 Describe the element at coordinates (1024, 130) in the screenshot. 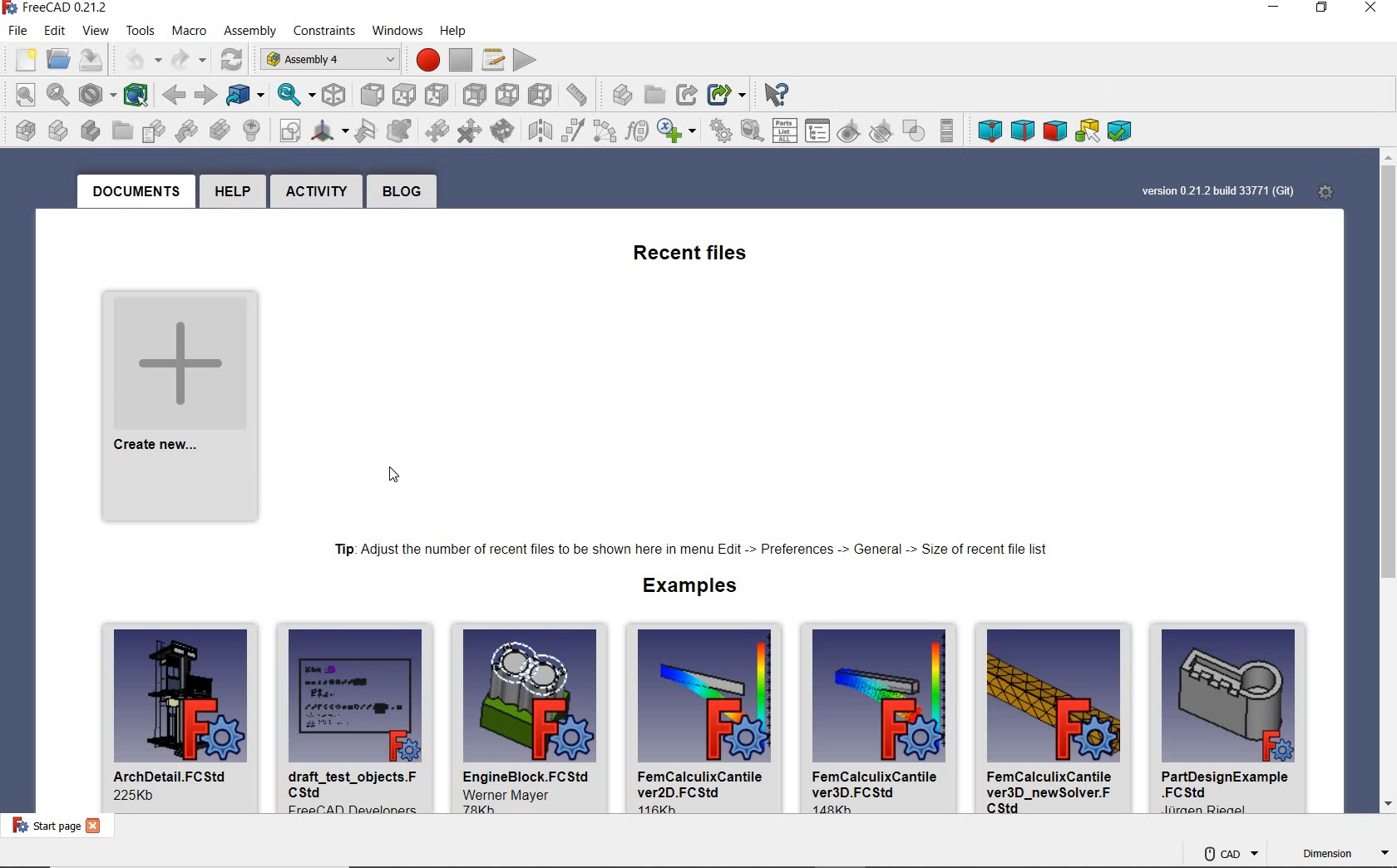

I see `select only edges` at that location.